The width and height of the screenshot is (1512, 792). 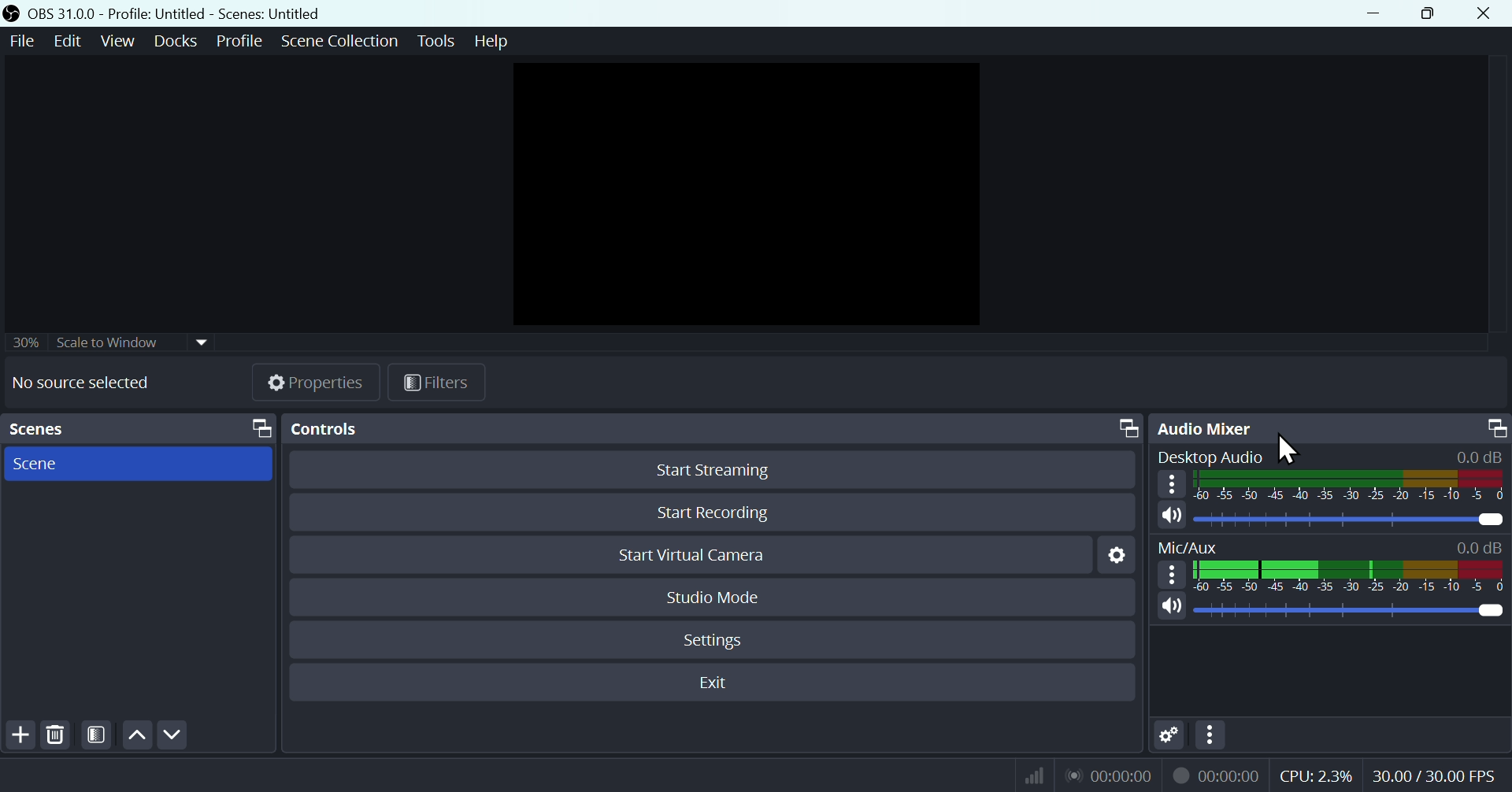 I want to click on CPU Usage, so click(x=1315, y=776).